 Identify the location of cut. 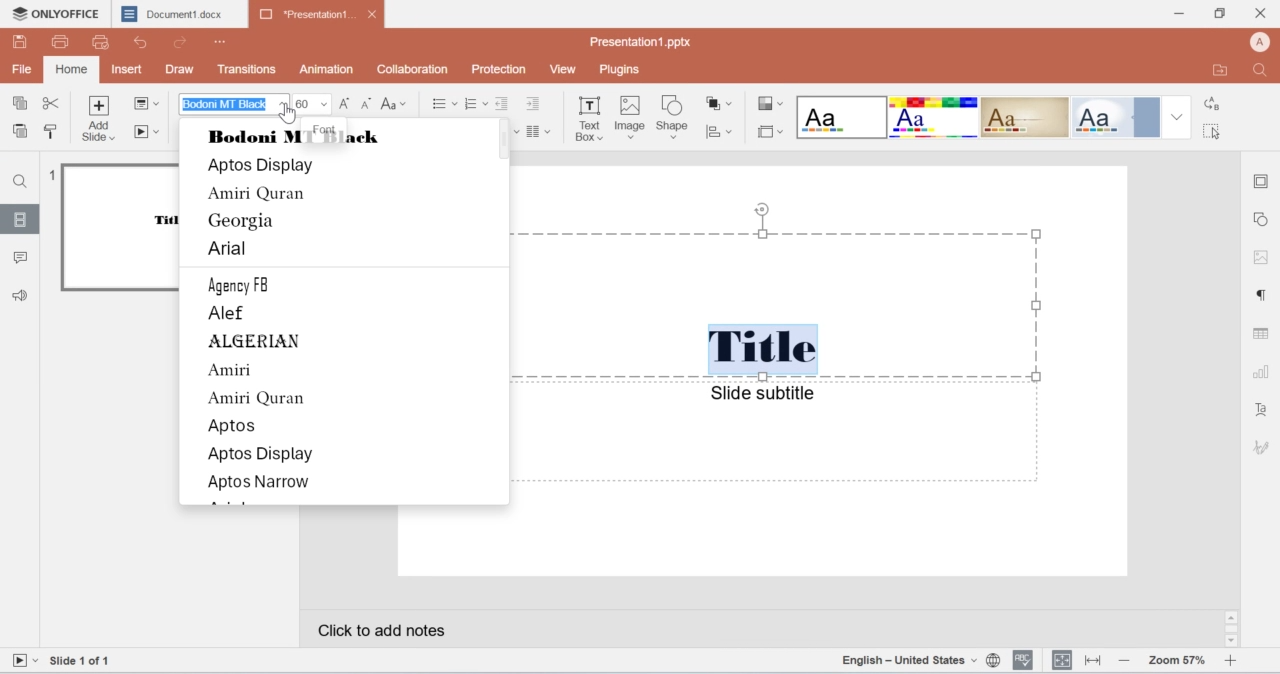
(52, 105).